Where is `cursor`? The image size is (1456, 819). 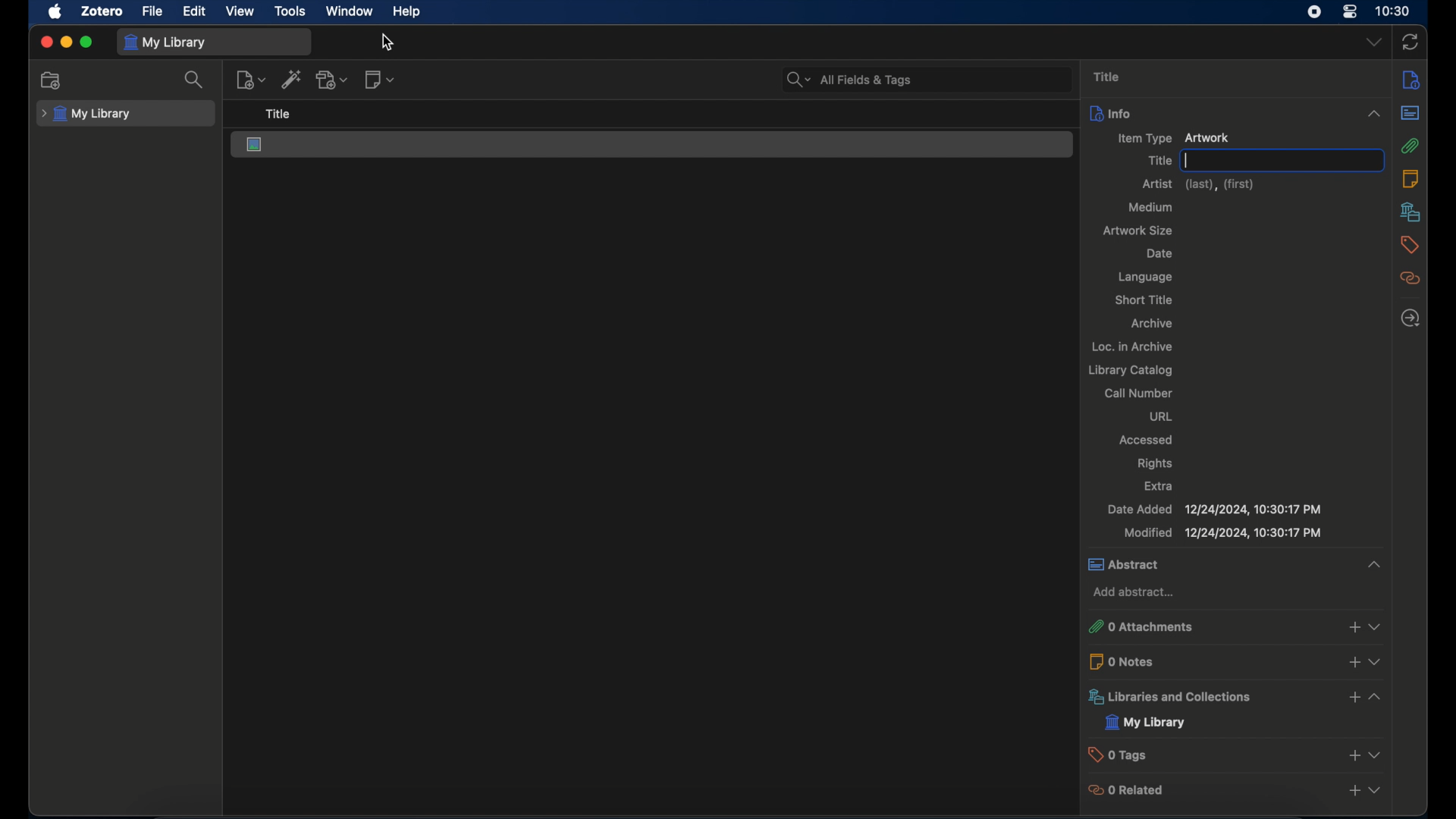
cursor is located at coordinates (388, 43).